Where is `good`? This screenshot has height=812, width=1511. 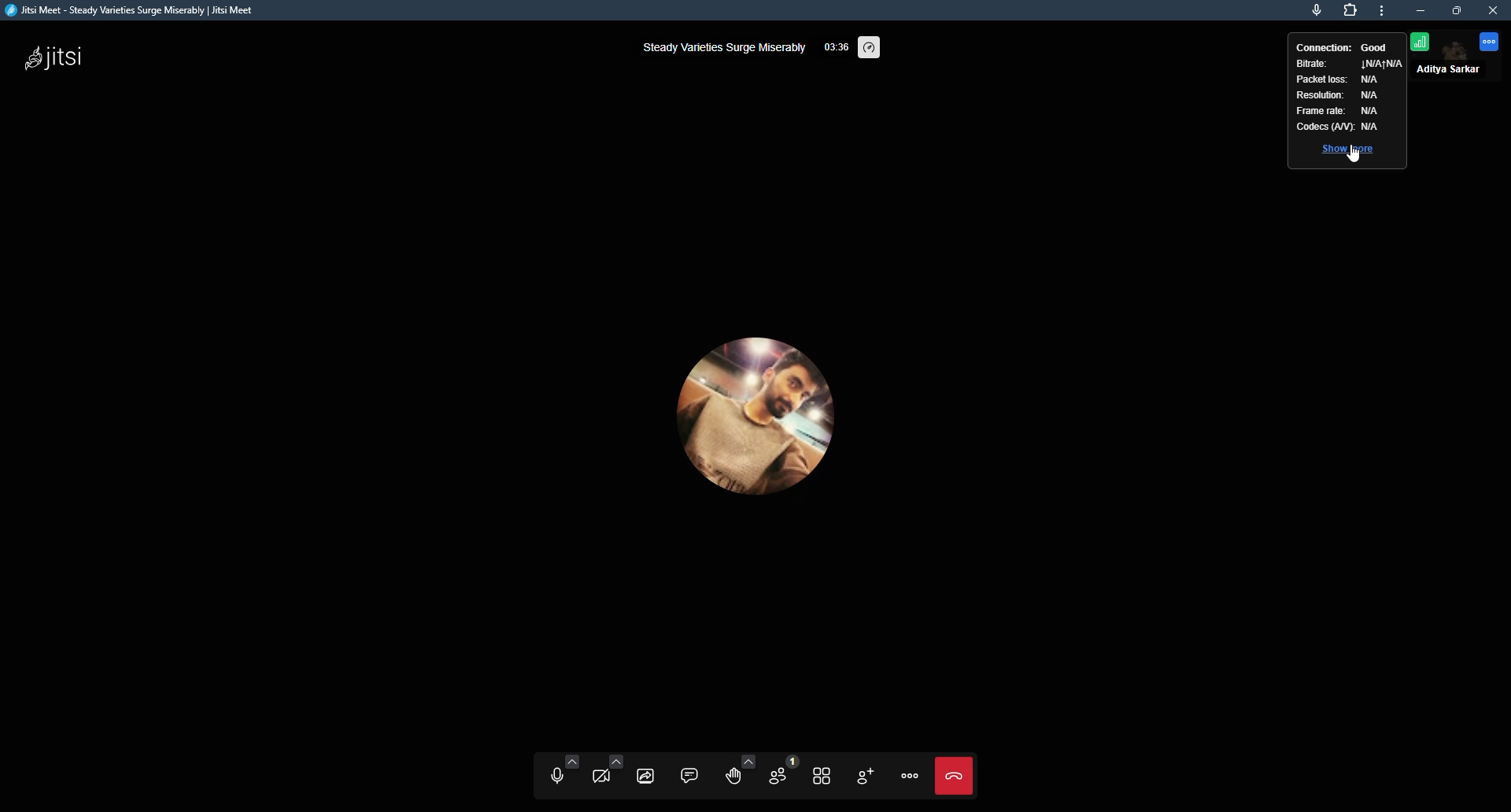
good is located at coordinates (1374, 46).